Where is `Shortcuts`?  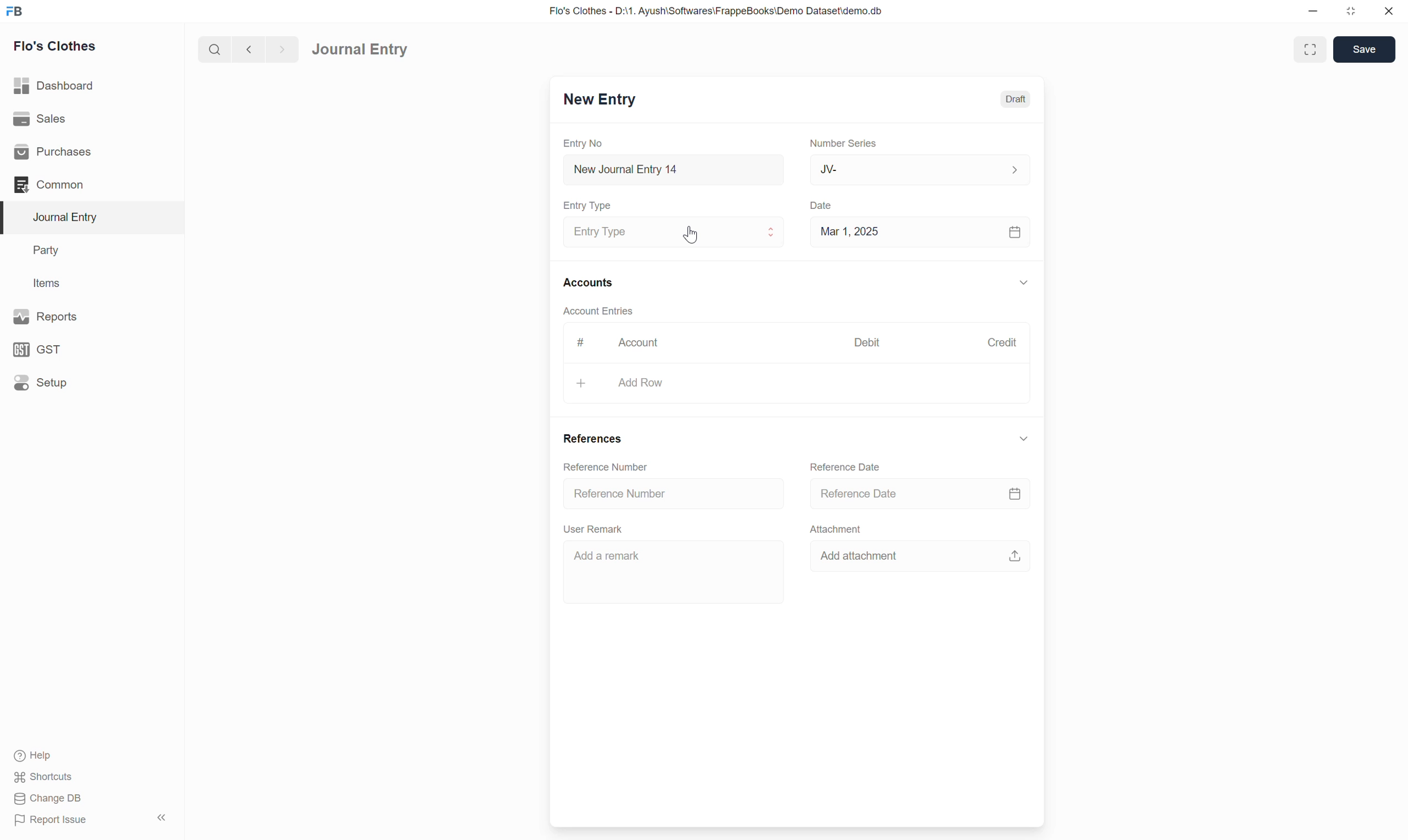
Shortcuts is located at coordinates (48, 777).